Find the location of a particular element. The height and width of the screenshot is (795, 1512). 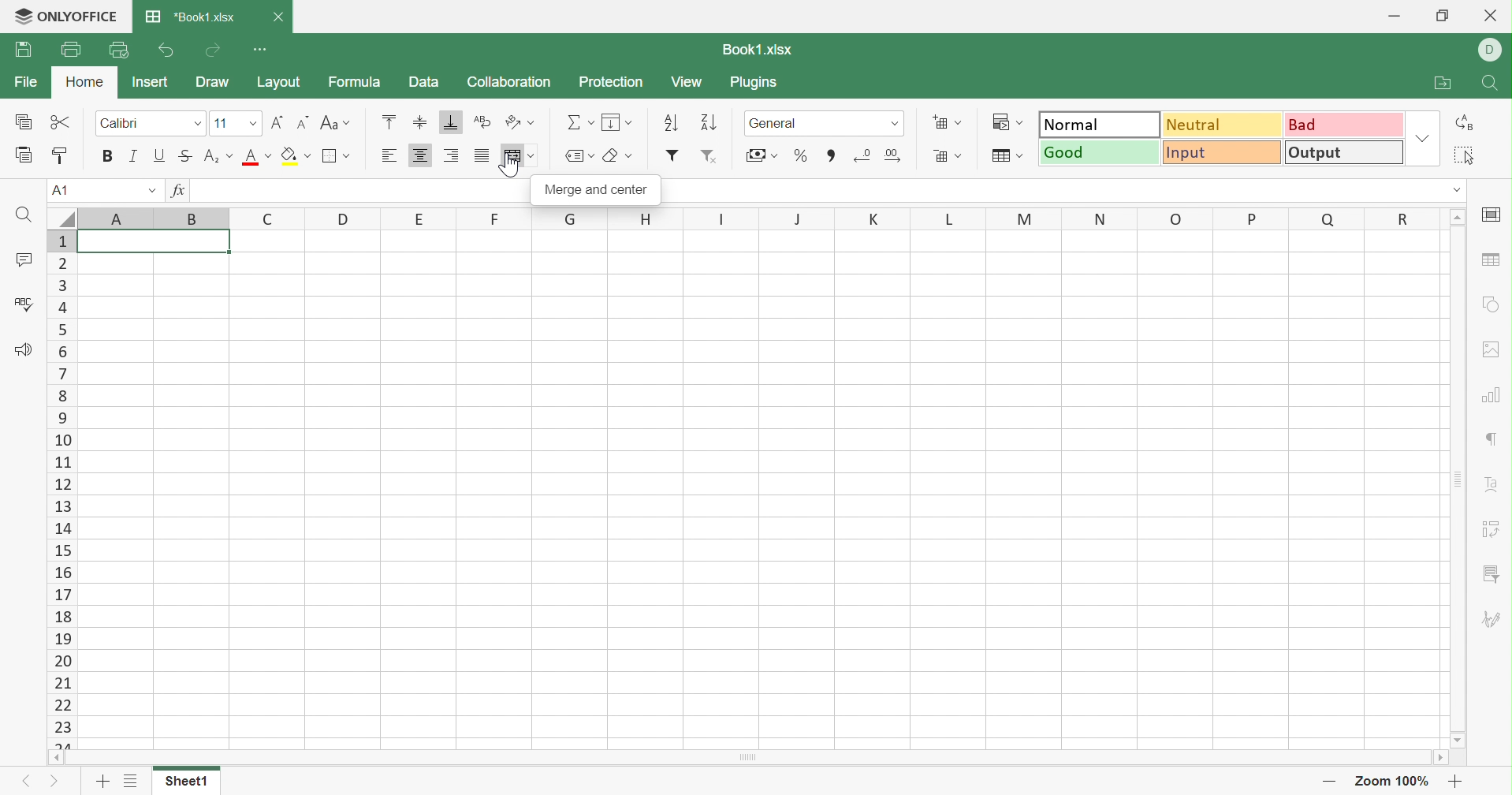

Collaboration is located at coordinates (510, 85).